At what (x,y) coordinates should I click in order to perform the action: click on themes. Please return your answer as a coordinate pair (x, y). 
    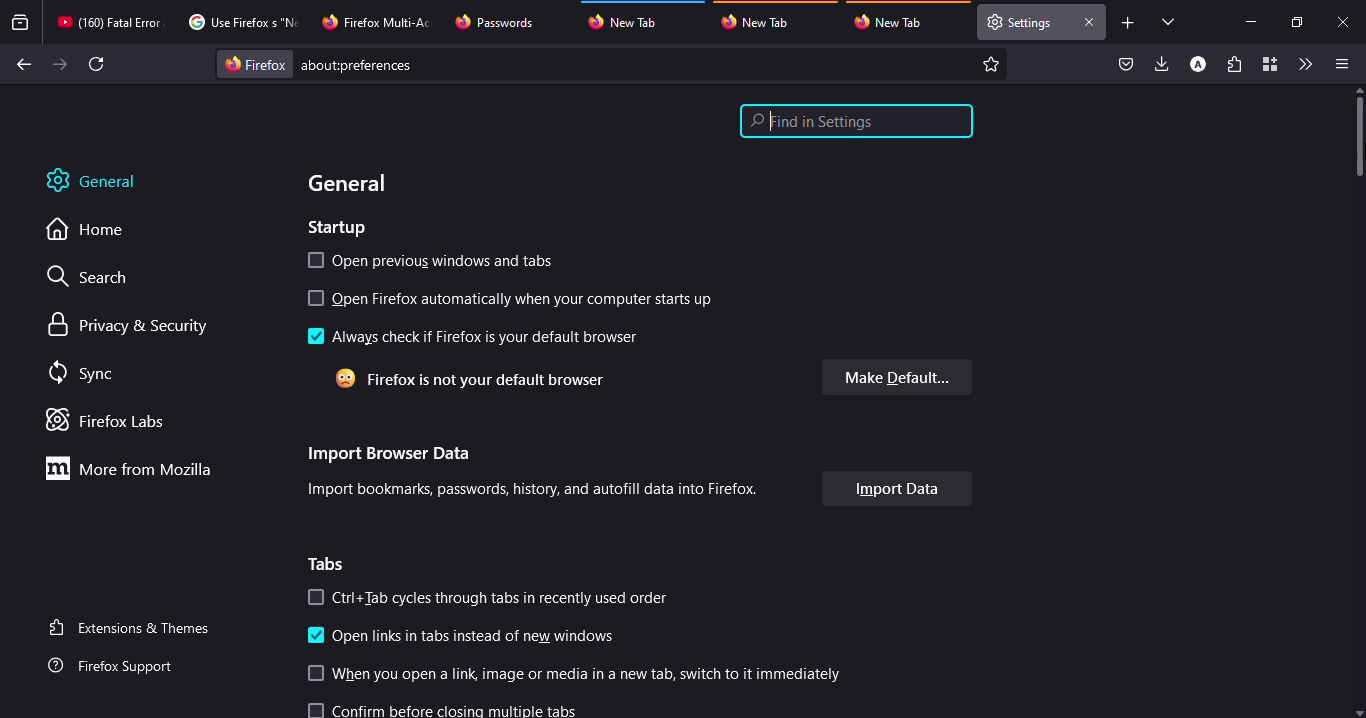
    Looking at the image, I should click on (133, 627).